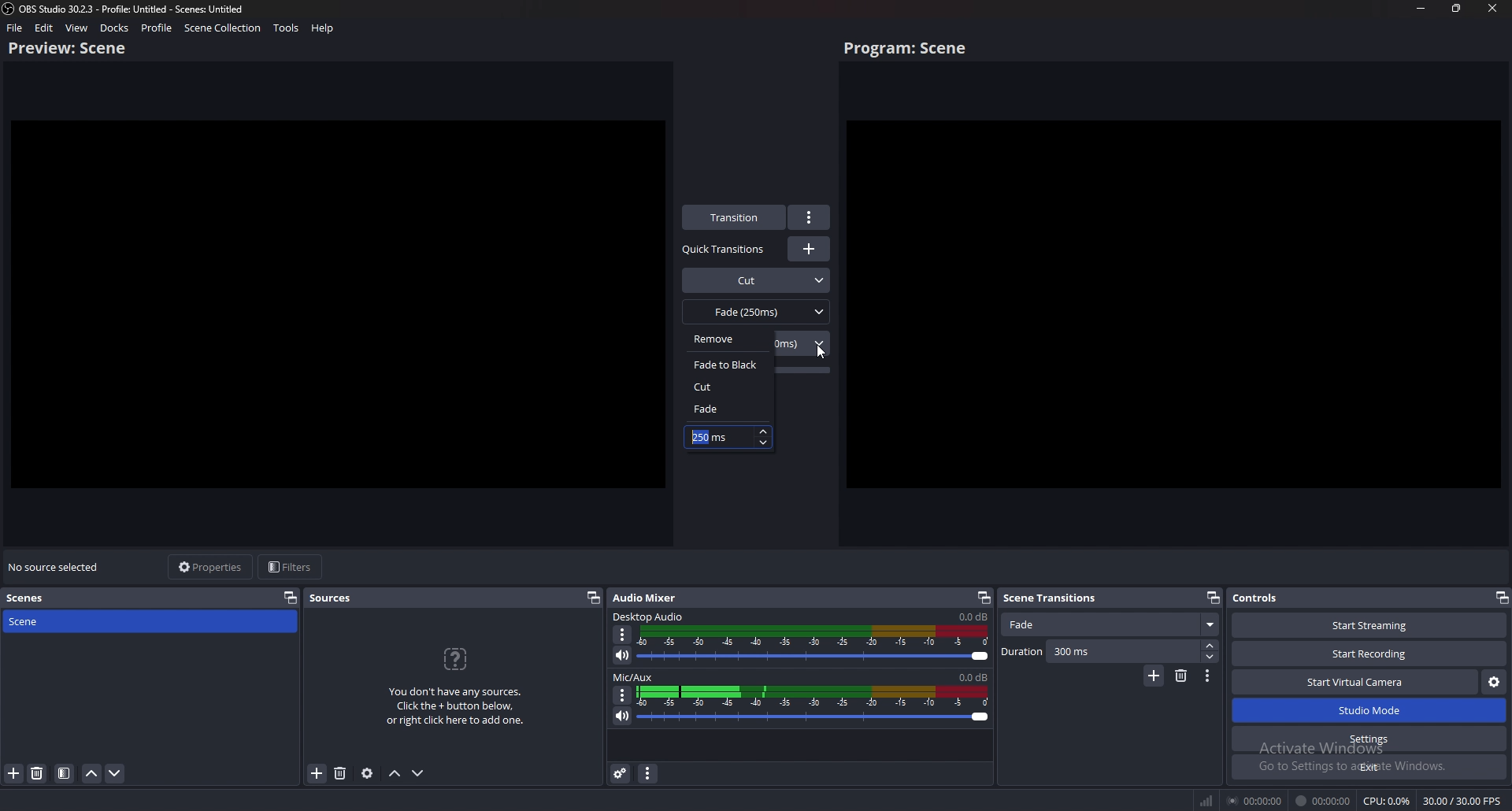  What do you see at coordinates (1493, 683) in the screenshot?
I see `Configure virtual camera` at bounding box center [1493, 683].